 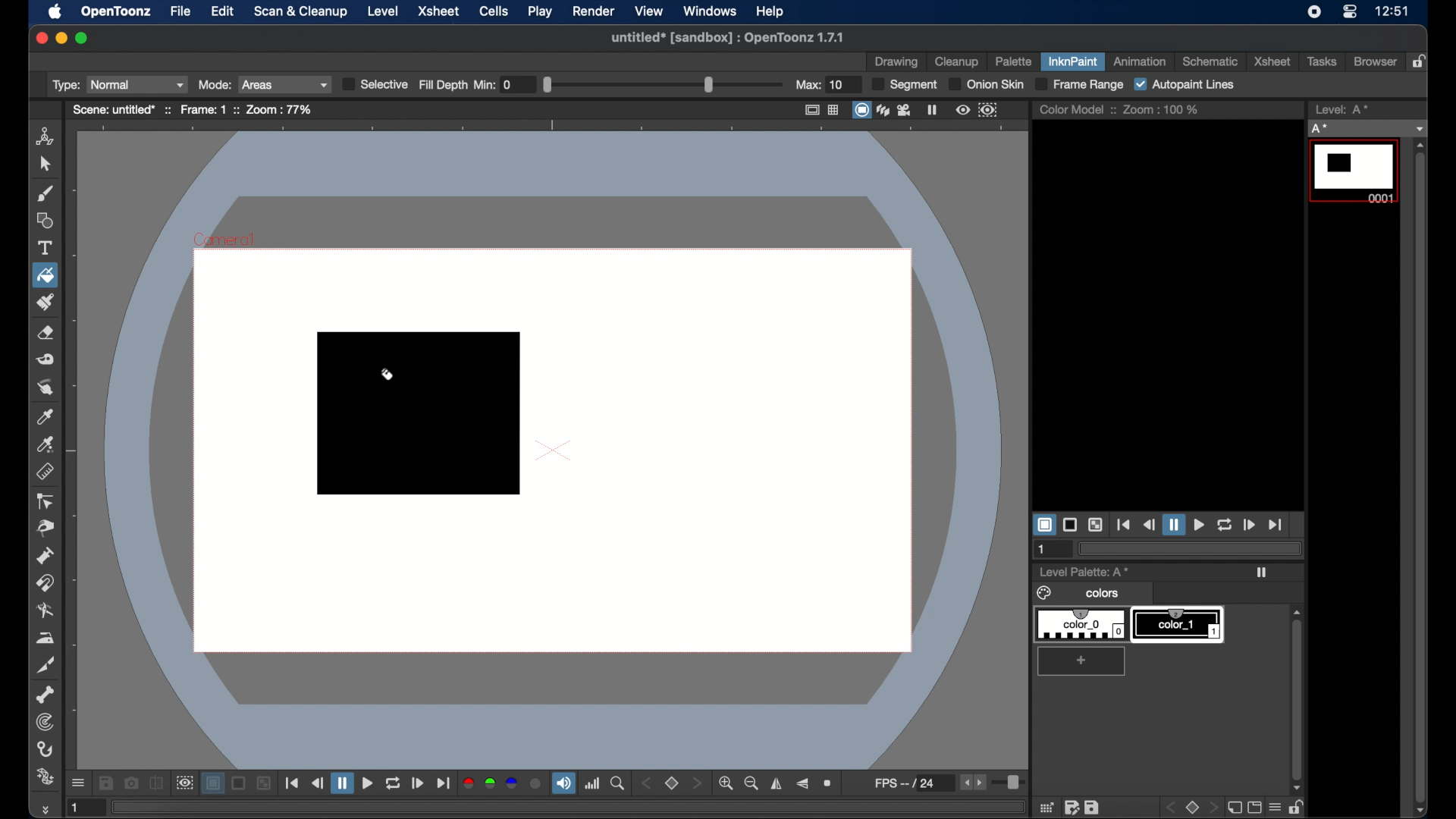 What do you see at coordinates (1173, 808) in the screenshot?
I see `back` at bounding box center [1173, 808].